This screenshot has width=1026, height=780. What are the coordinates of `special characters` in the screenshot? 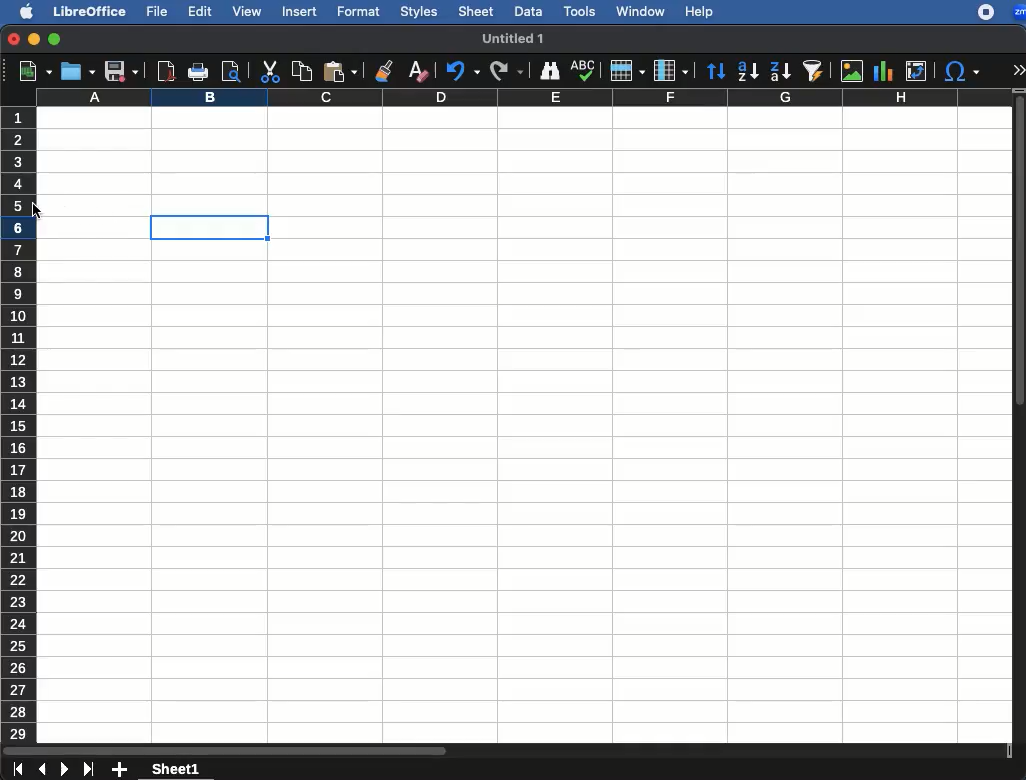 It's located at (961, 72).